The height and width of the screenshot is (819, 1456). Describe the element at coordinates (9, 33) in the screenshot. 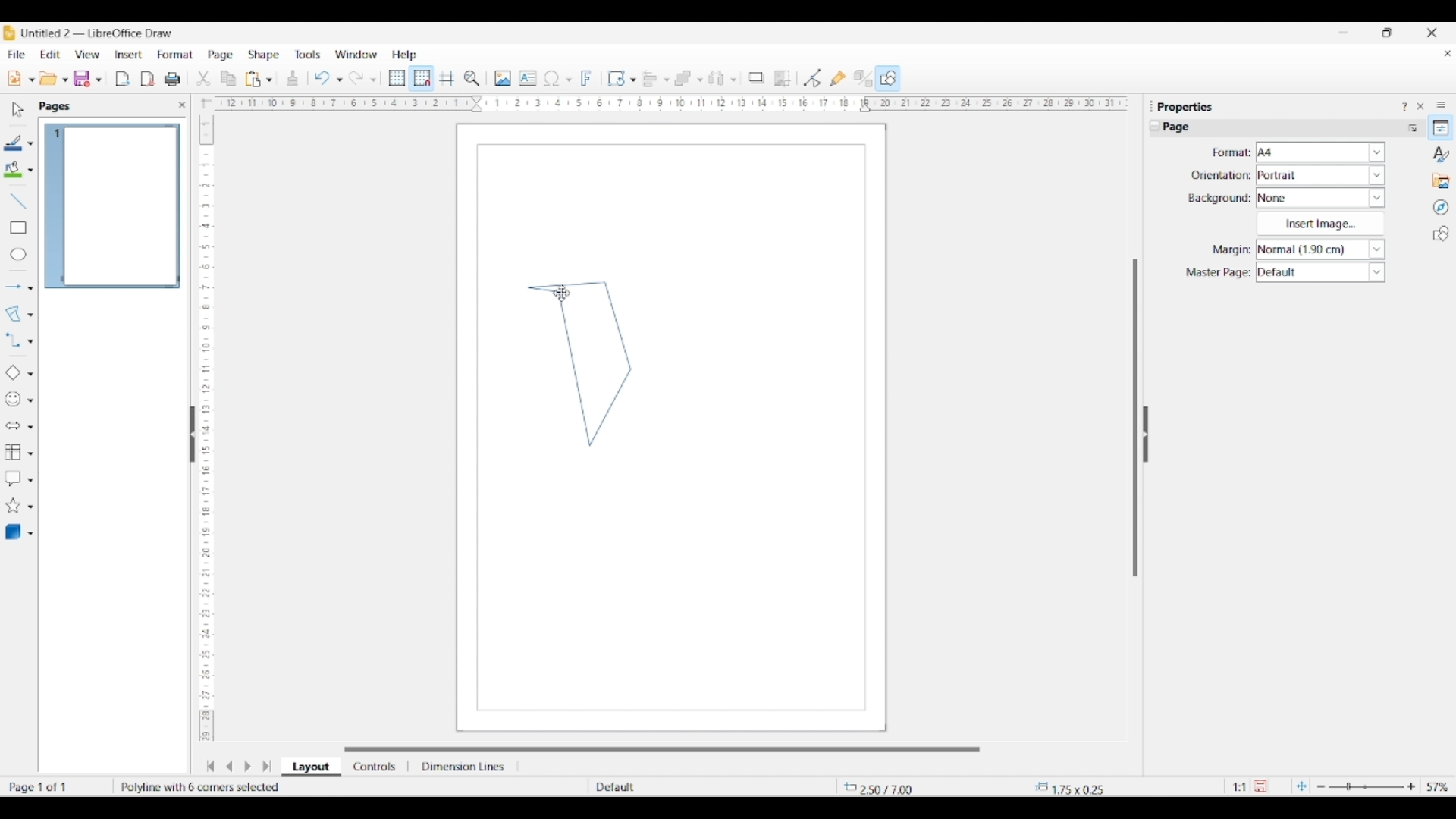

I see `Software logo` at that location.